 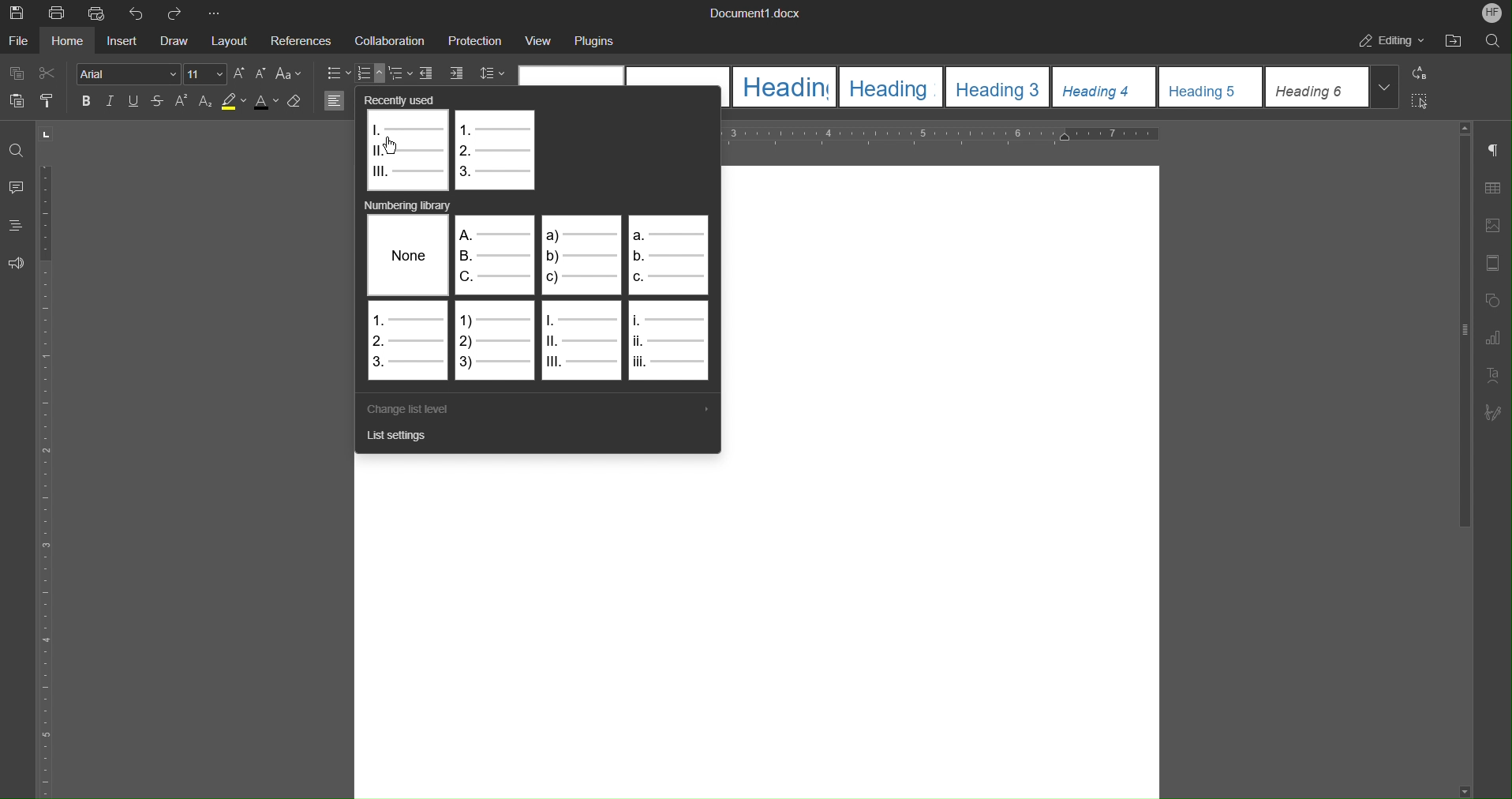 What do you see at coordinates (59, 13) in the screenshot?
I see `Print` at bounding box center [59, 13].